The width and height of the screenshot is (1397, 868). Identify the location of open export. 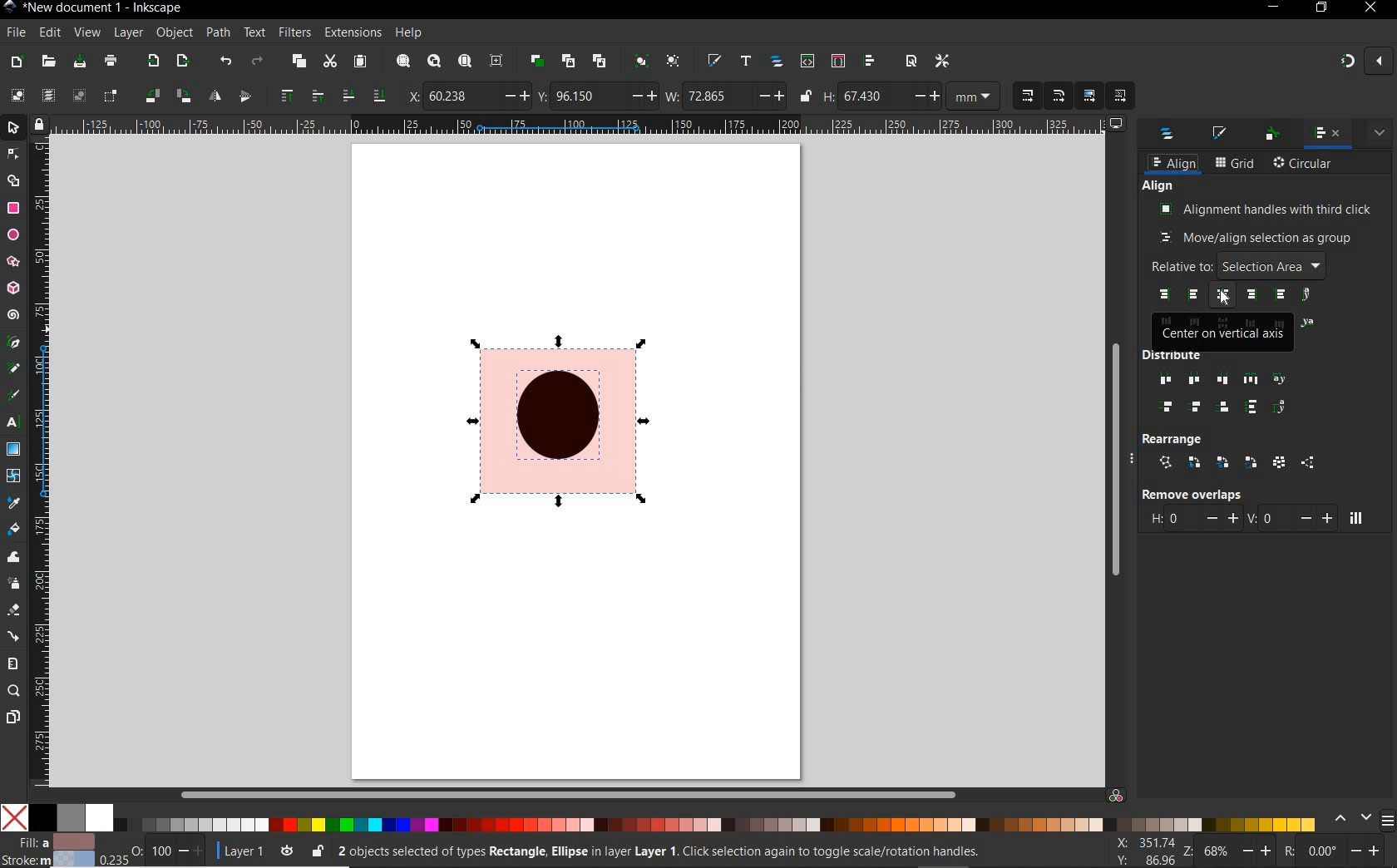
(183, 61).